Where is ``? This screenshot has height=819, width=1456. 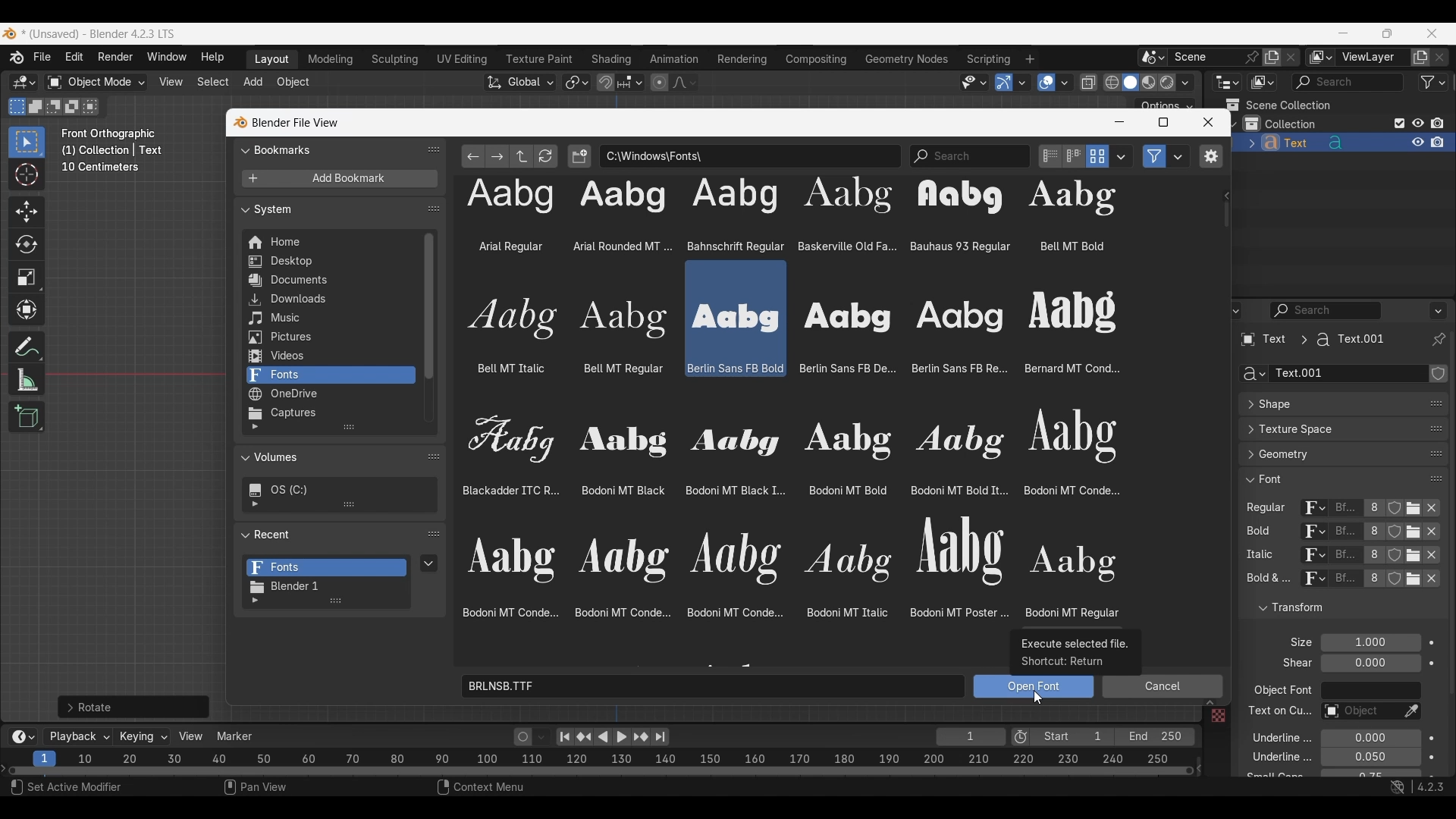
 is located at coordinates (1346, 557).